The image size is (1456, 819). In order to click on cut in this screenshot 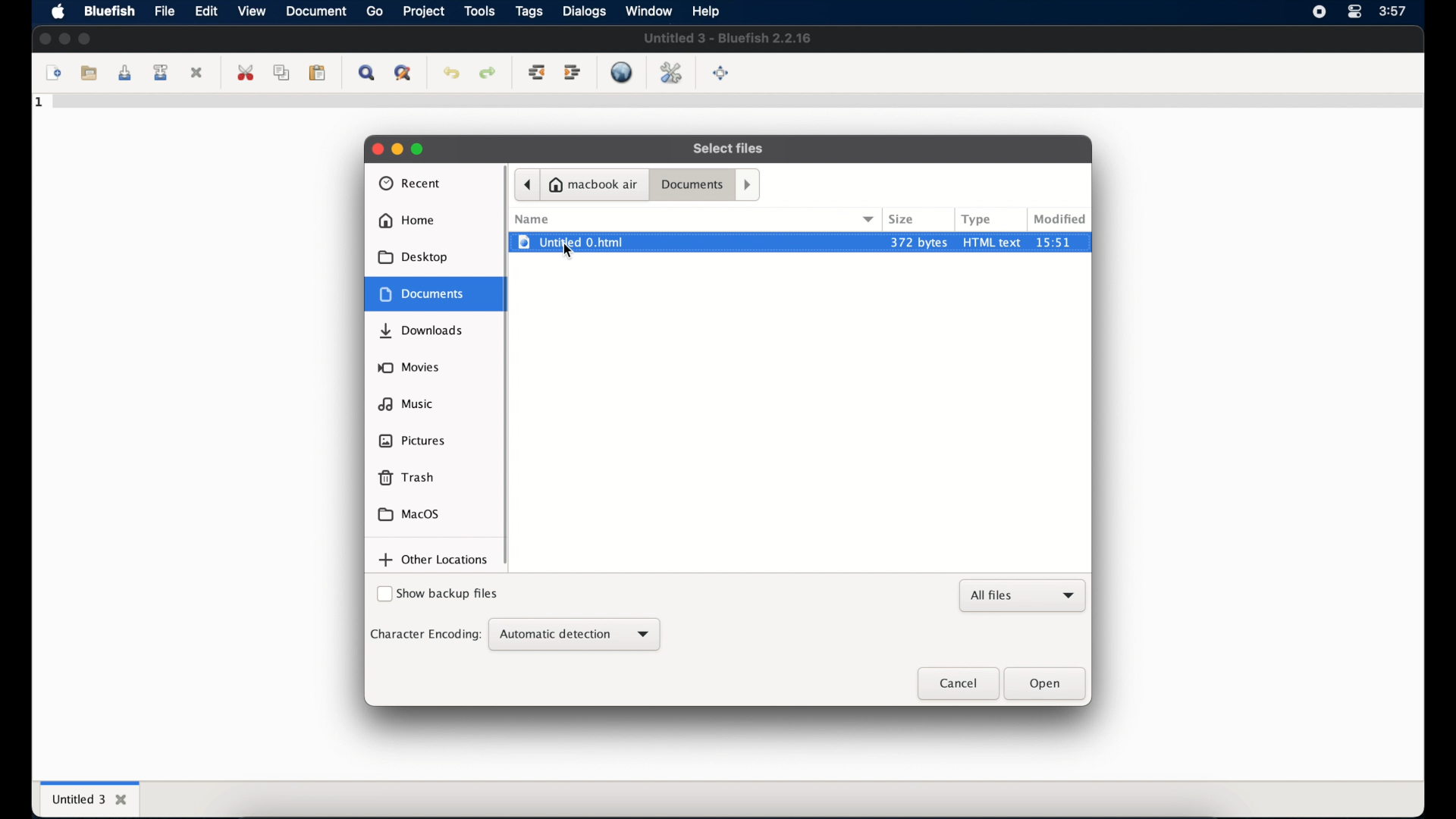, I will do `click(246, 73)`.